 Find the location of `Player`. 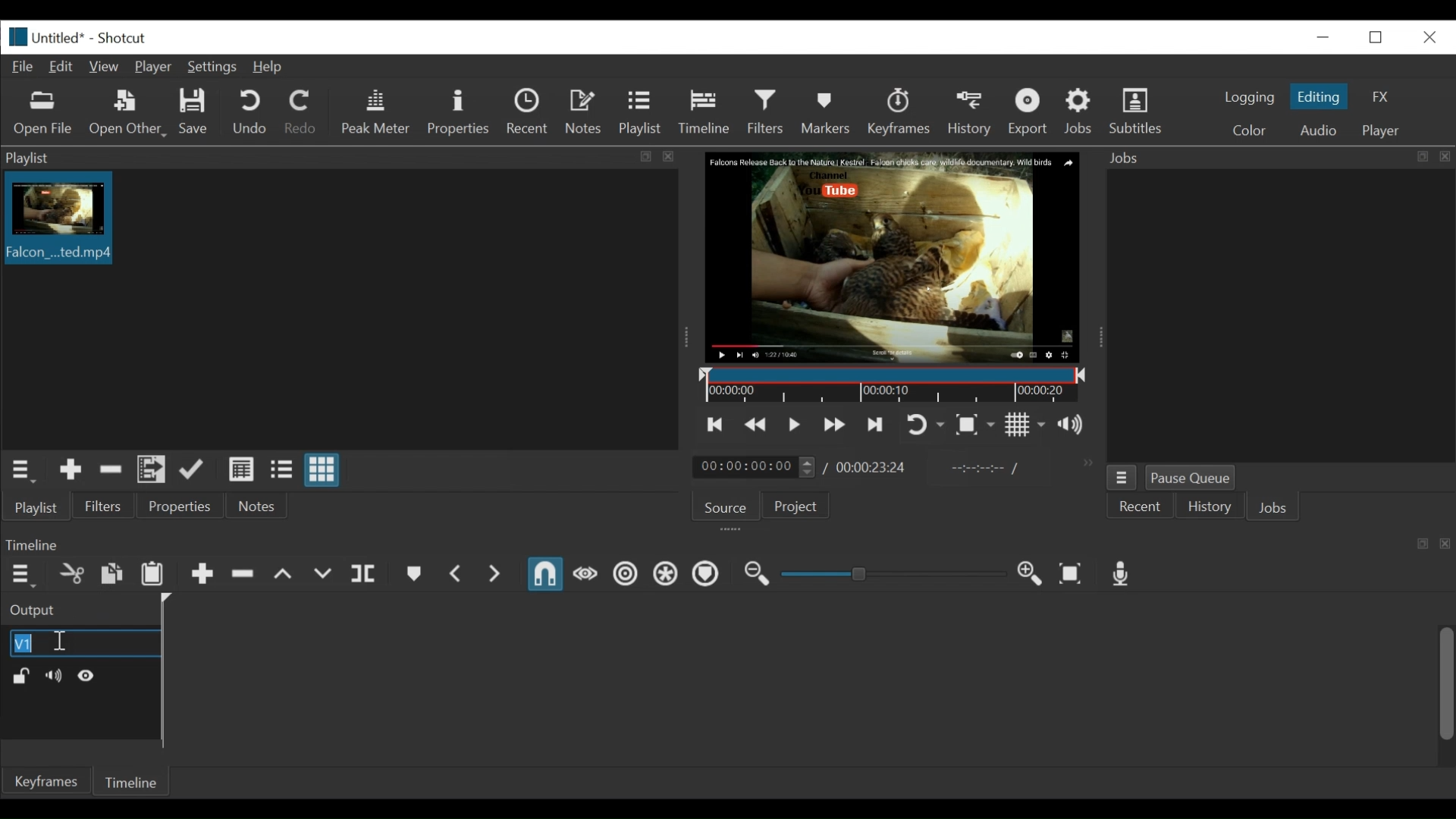

Player is located at coordinates (152, 67).